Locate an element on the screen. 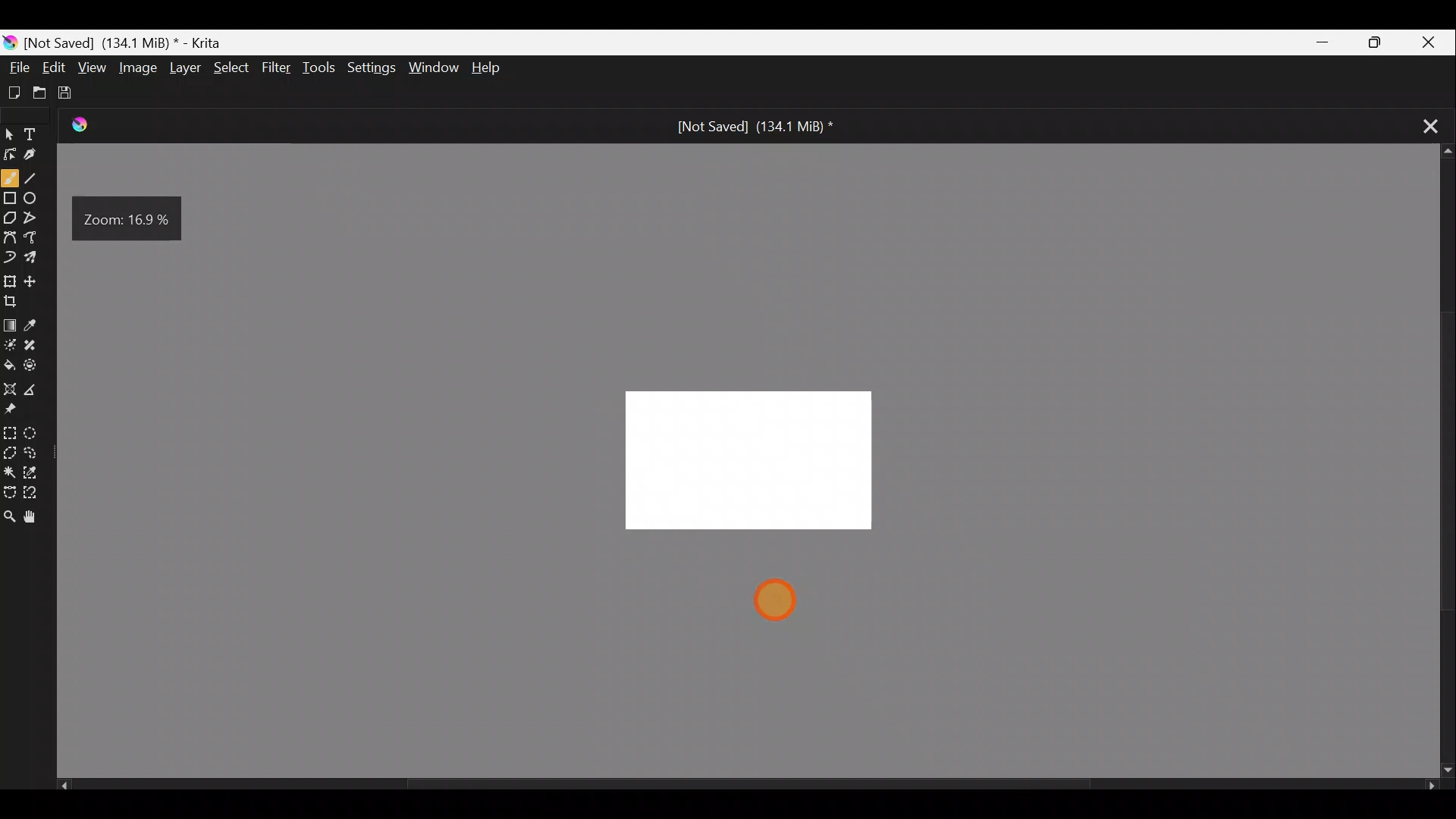 This screenshot has width=1456, height=819. Contiguous selection tool is located at coordinates (10, 472).